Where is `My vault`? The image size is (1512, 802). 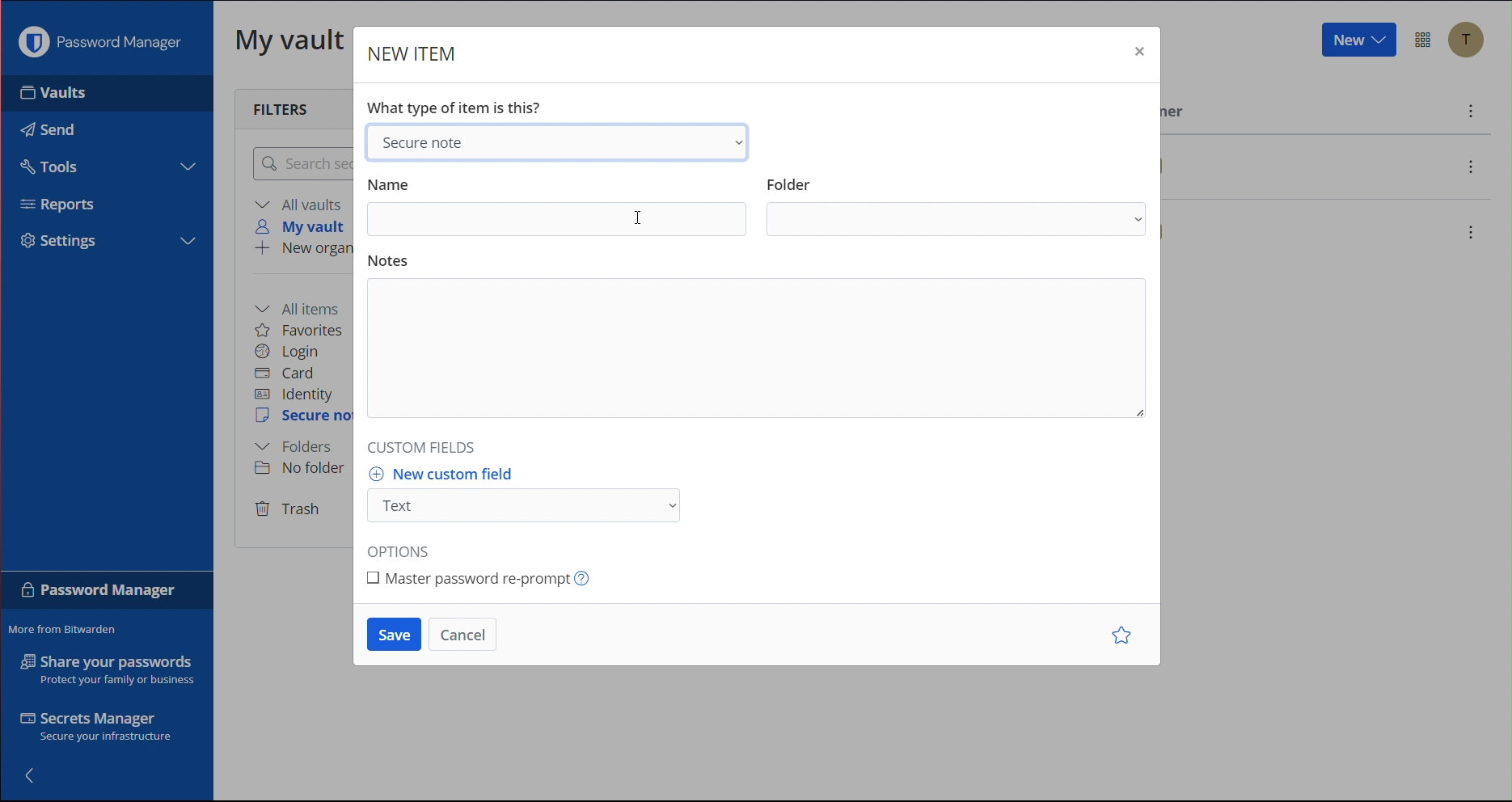
My vault is located at coordinates (305, 226).